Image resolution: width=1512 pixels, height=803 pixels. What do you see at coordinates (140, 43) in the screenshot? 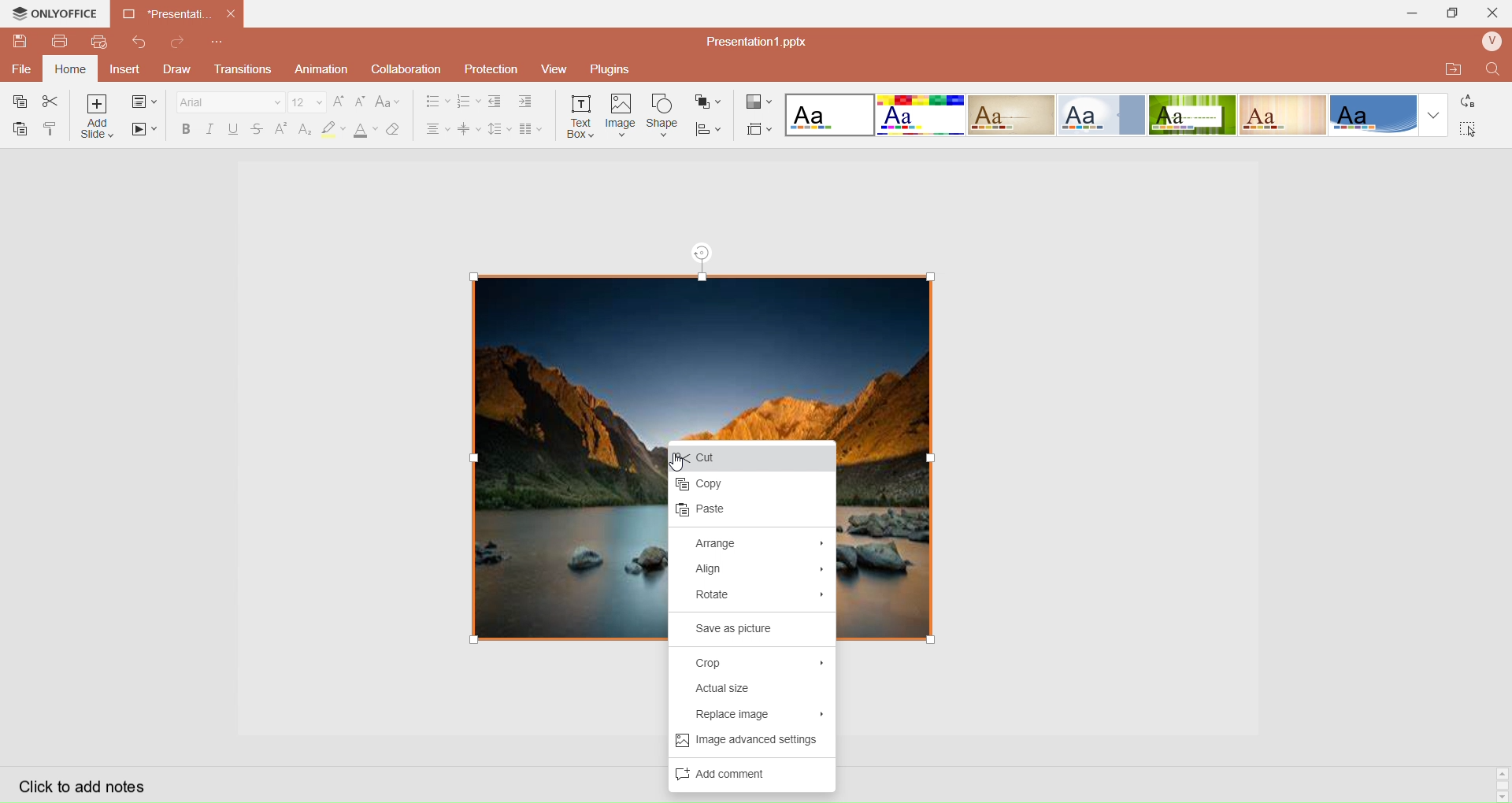
I see `Redo` at bounding box center [140, 43].